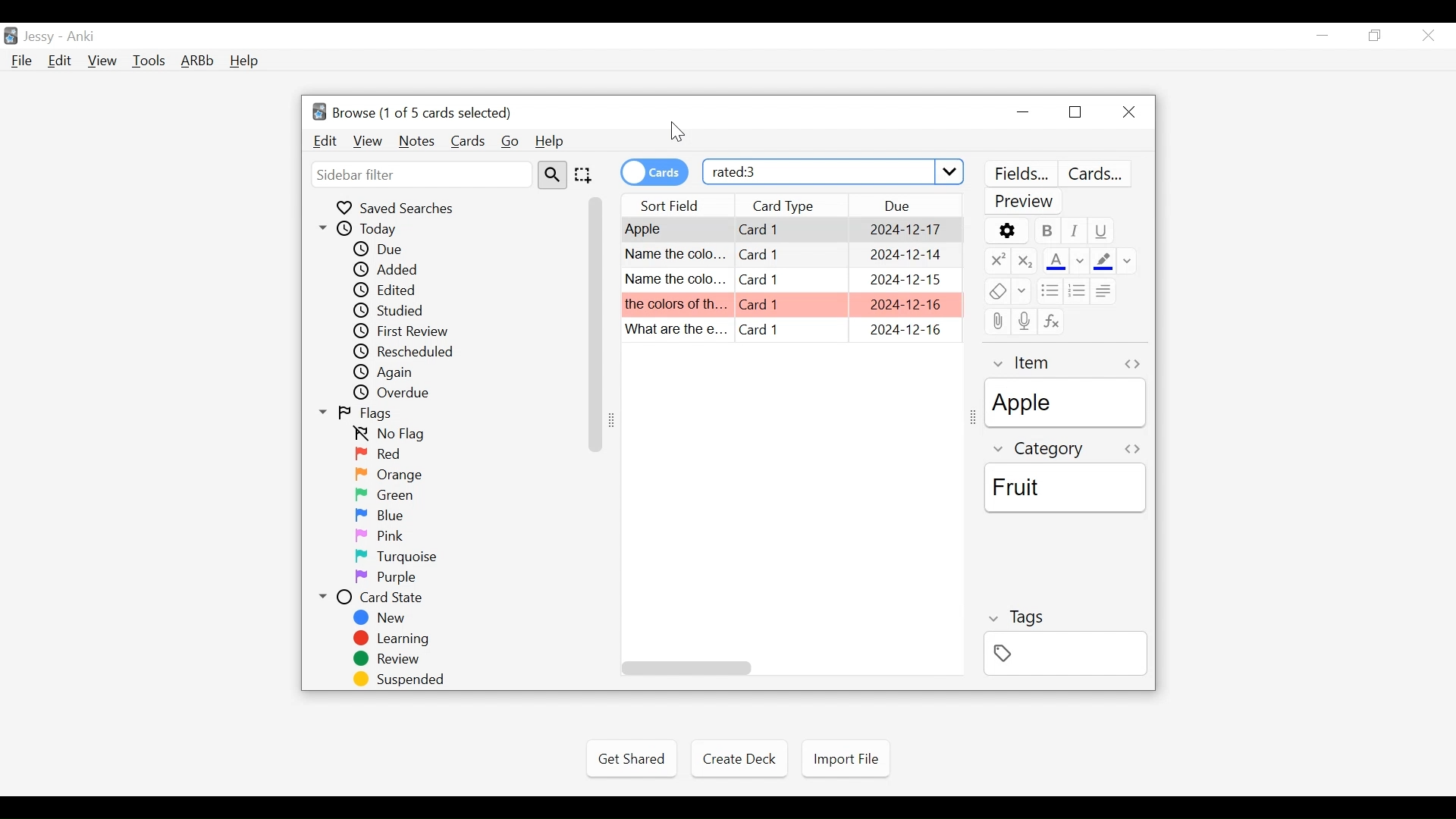 The height and width of the screenshot is (819, 1456). What do you see at coordinates (905, 254) in the screenshot?
I see `Date` at bounding box center [905, 254].